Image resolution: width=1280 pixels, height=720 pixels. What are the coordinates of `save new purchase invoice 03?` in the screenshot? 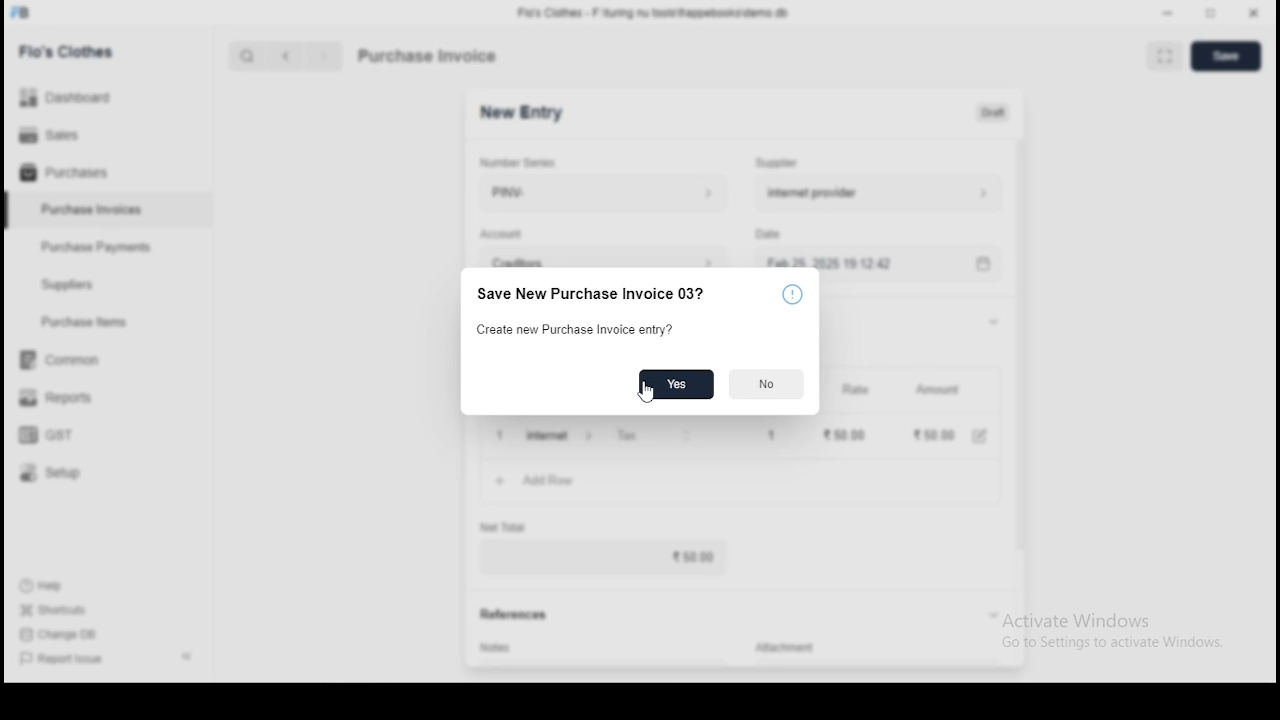 It's located at (601, 292).